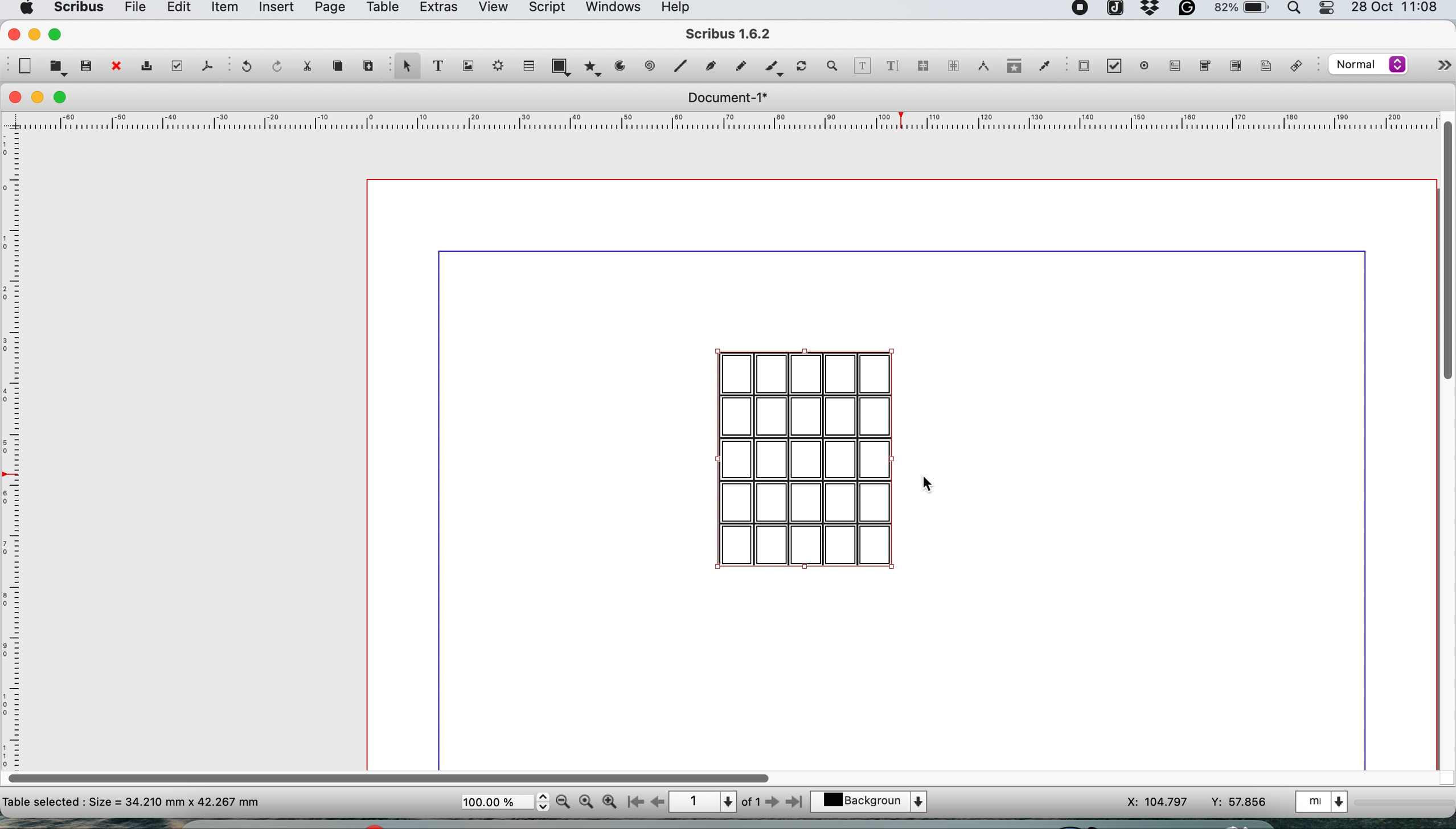 This screenshot has width=1456, height=829. Describe the element at coordinates (806, 459) in the screenshot. I see `edited table with added row and columns` at that location.